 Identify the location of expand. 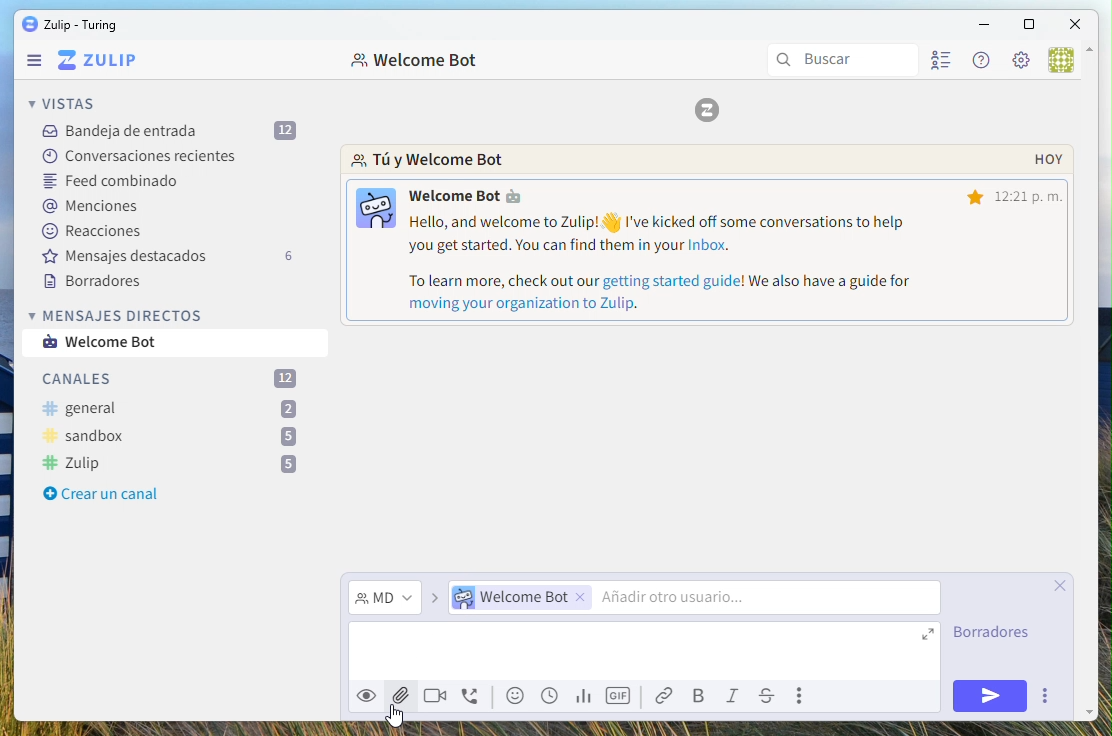
(930, 638).